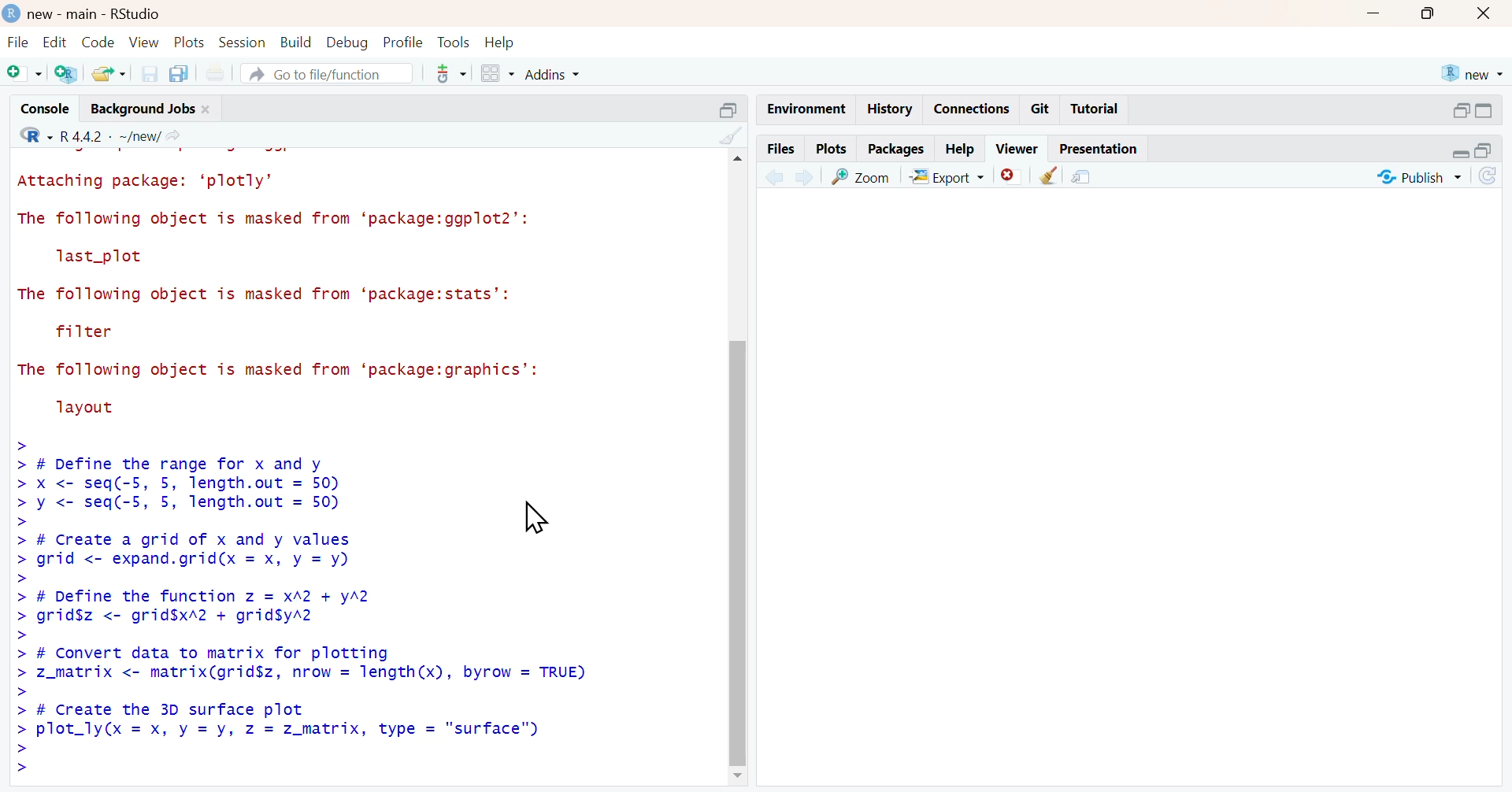  Describe the element at coordinates (1374, 11) in the screenshot. I see `minimize` at that location.